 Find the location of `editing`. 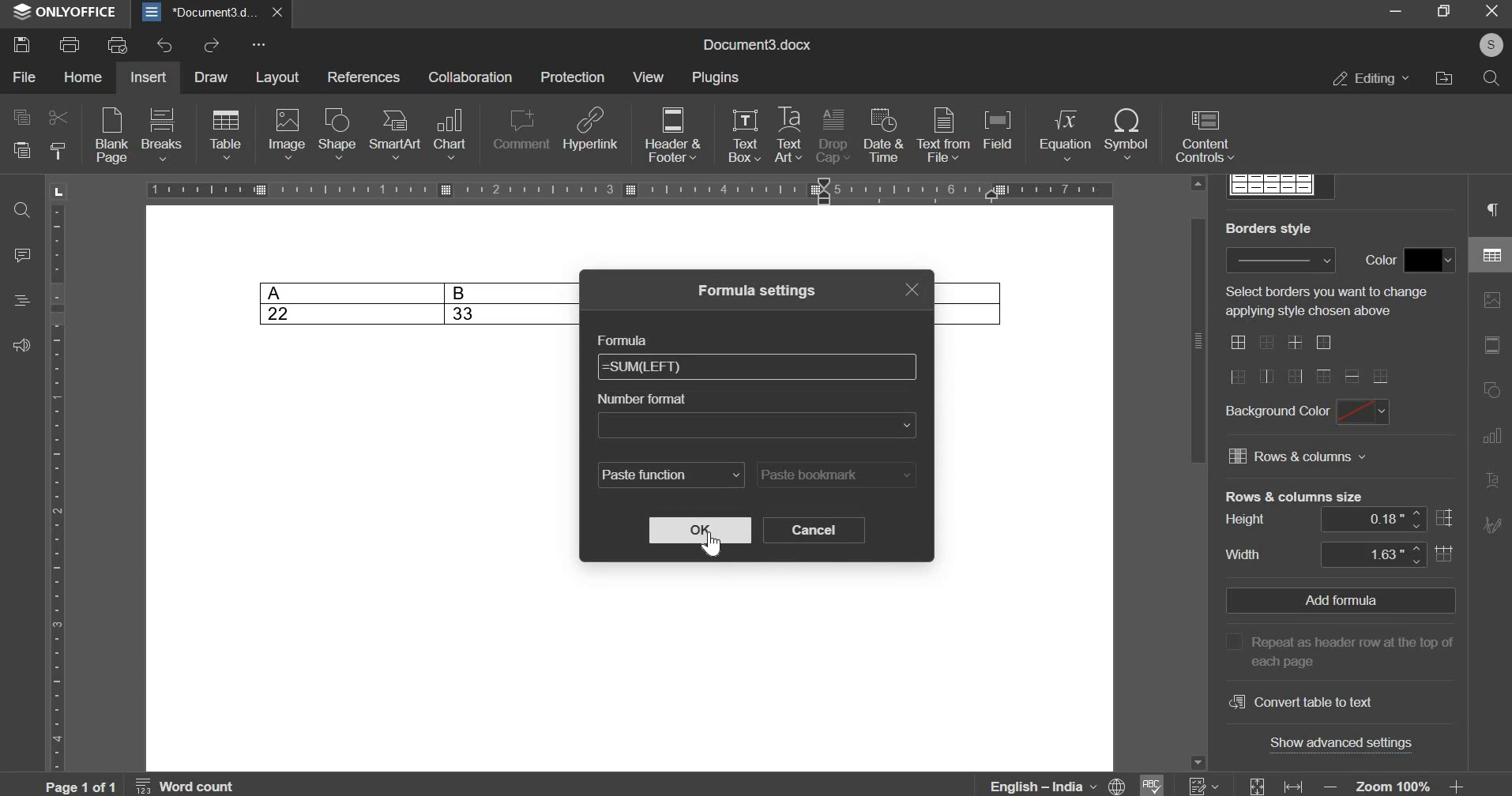

editing is located at coordinates (1373, 78).